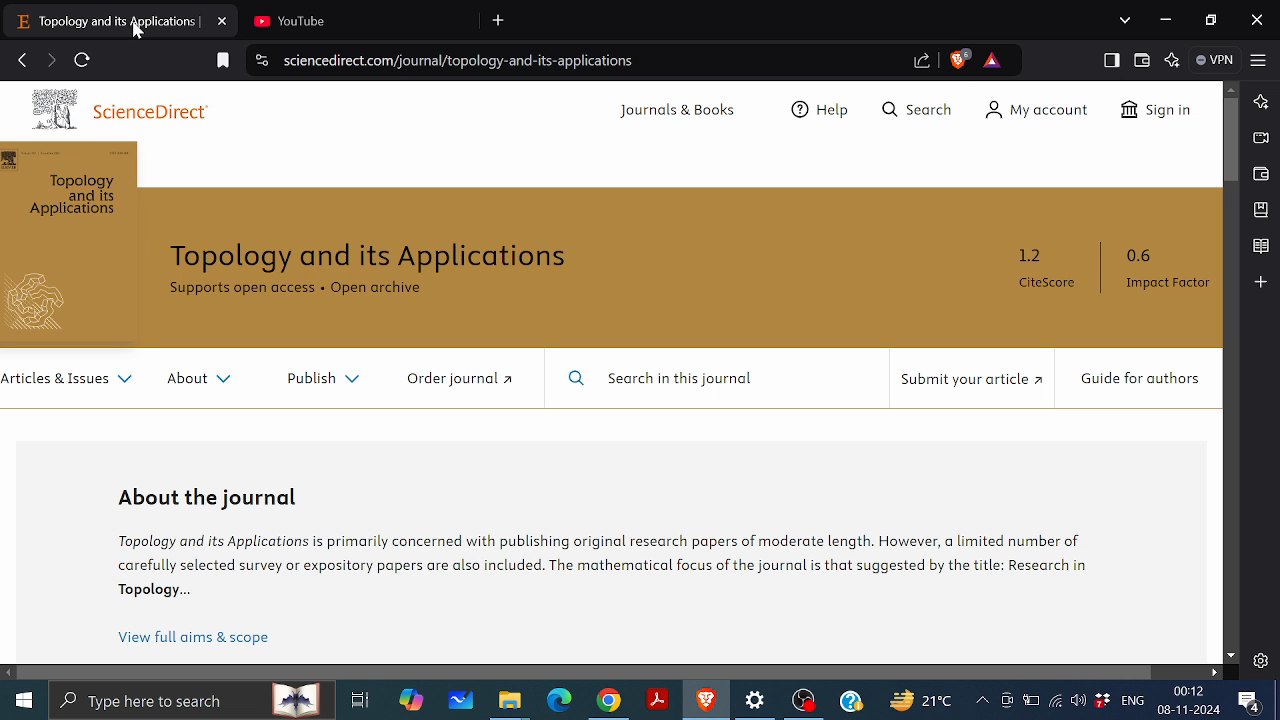 Image resolution: width=1280 pixels, height=720 pixels. Describe the element at coordinates (82, 60) in the screenshot. I see `reload` at that location.